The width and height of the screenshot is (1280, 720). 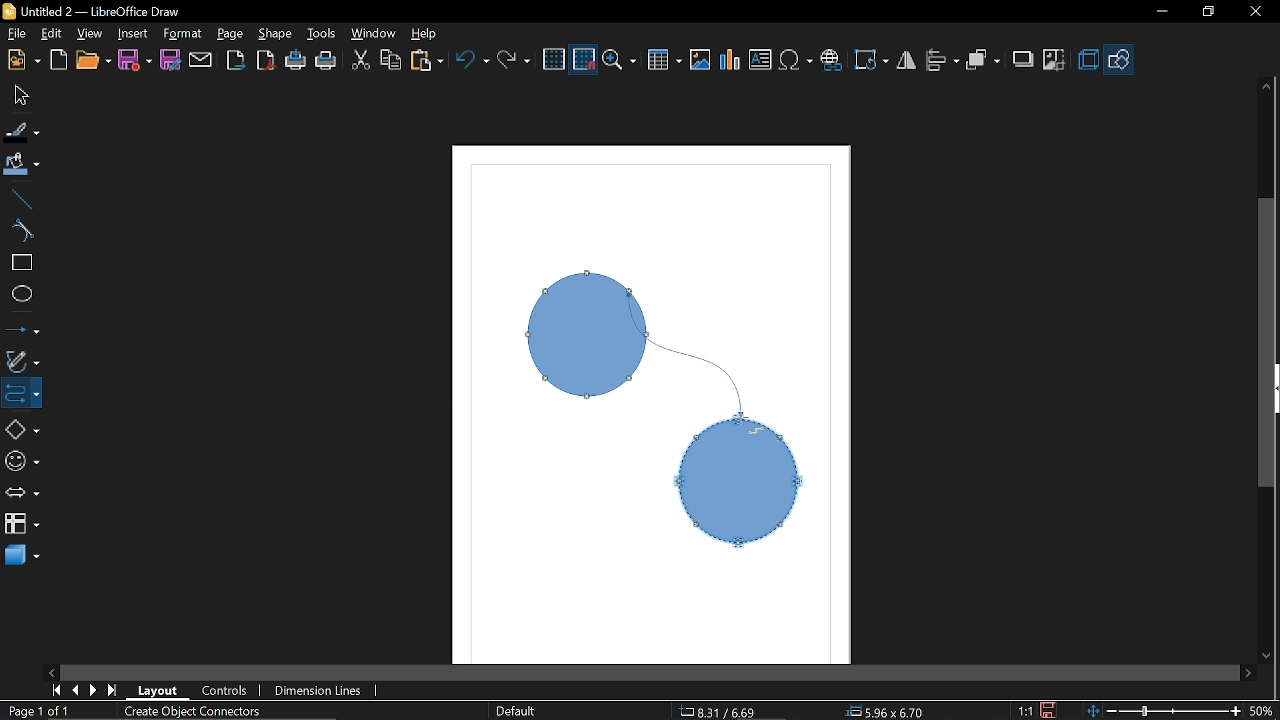 I want to click on Layout, so click(x=160, y=691).